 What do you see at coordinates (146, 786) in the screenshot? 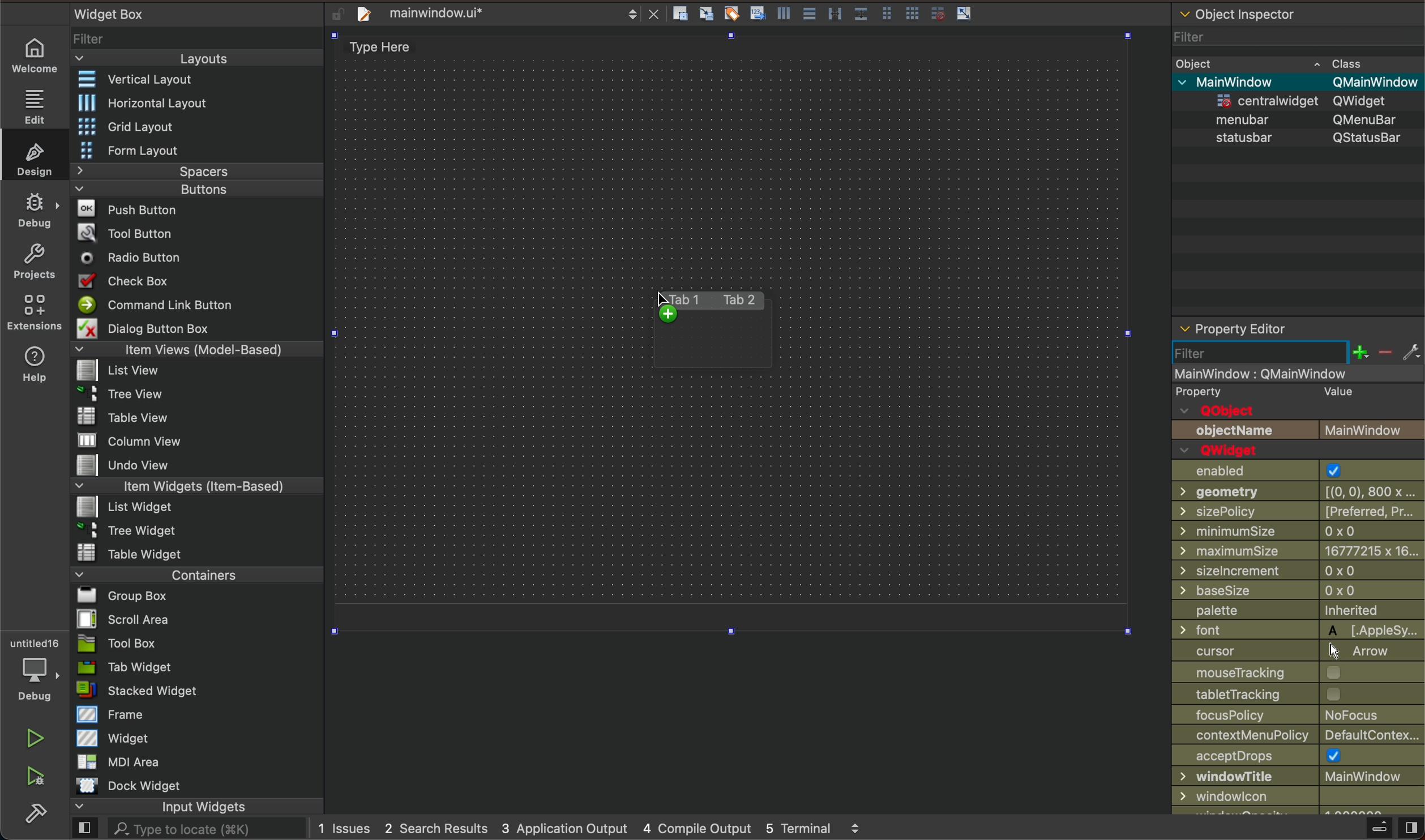
I see `Dock widget` at bounding box center [146, 786].